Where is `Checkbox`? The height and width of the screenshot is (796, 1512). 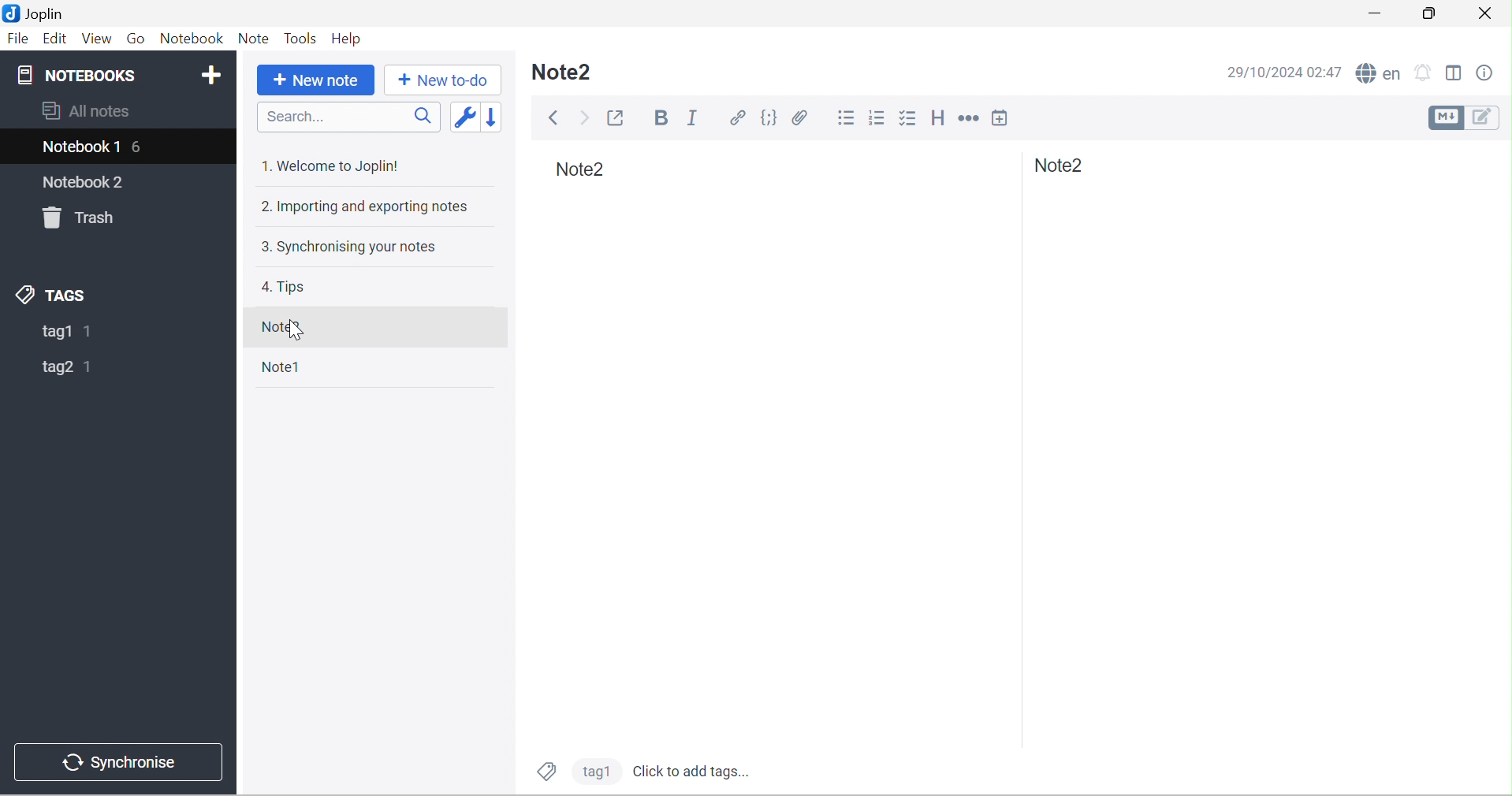
Checkbox is located at coordinates (907, 120).